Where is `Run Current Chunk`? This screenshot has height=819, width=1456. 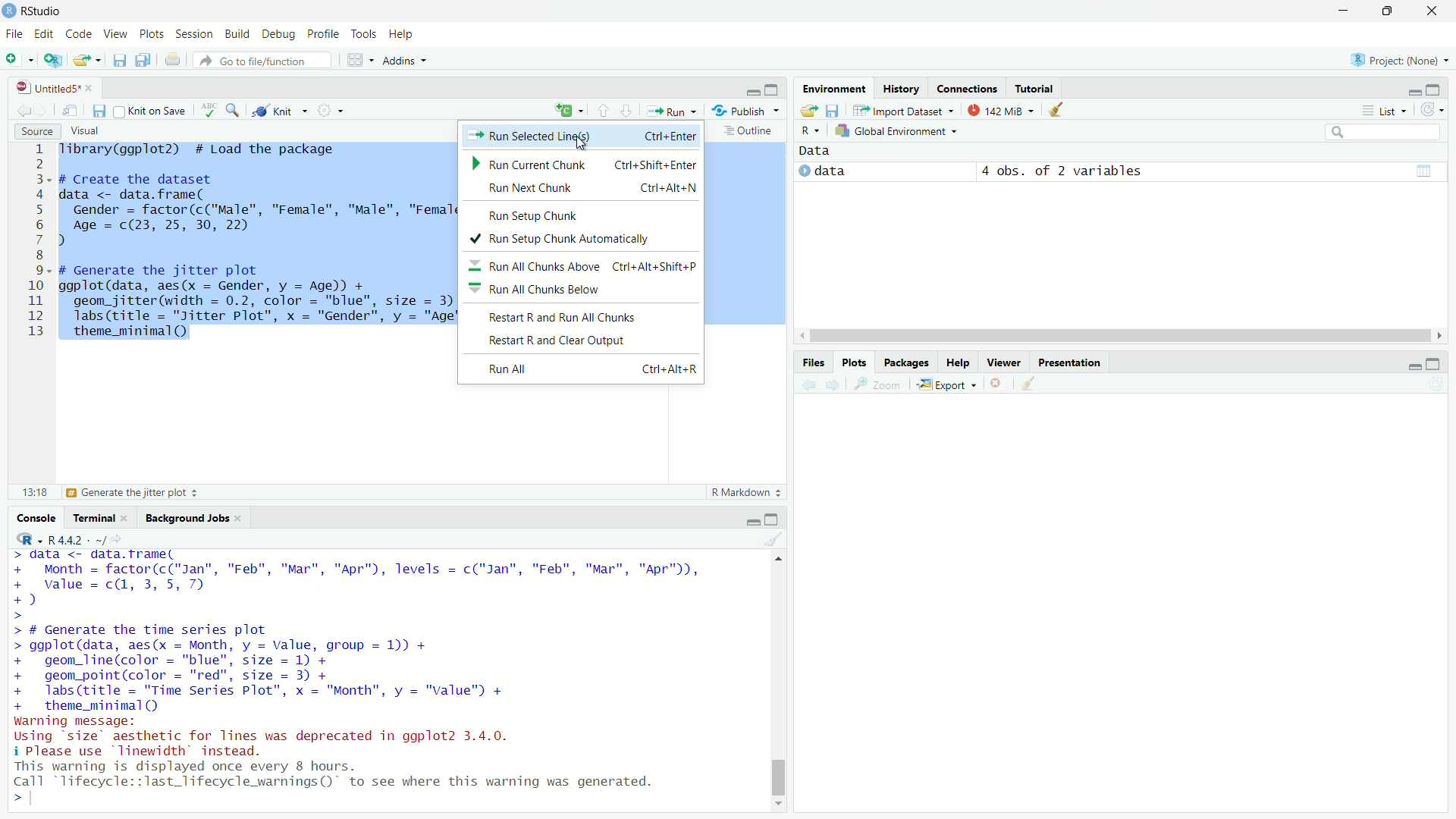 Run Current Chunk is located at coordinates (585, 163).